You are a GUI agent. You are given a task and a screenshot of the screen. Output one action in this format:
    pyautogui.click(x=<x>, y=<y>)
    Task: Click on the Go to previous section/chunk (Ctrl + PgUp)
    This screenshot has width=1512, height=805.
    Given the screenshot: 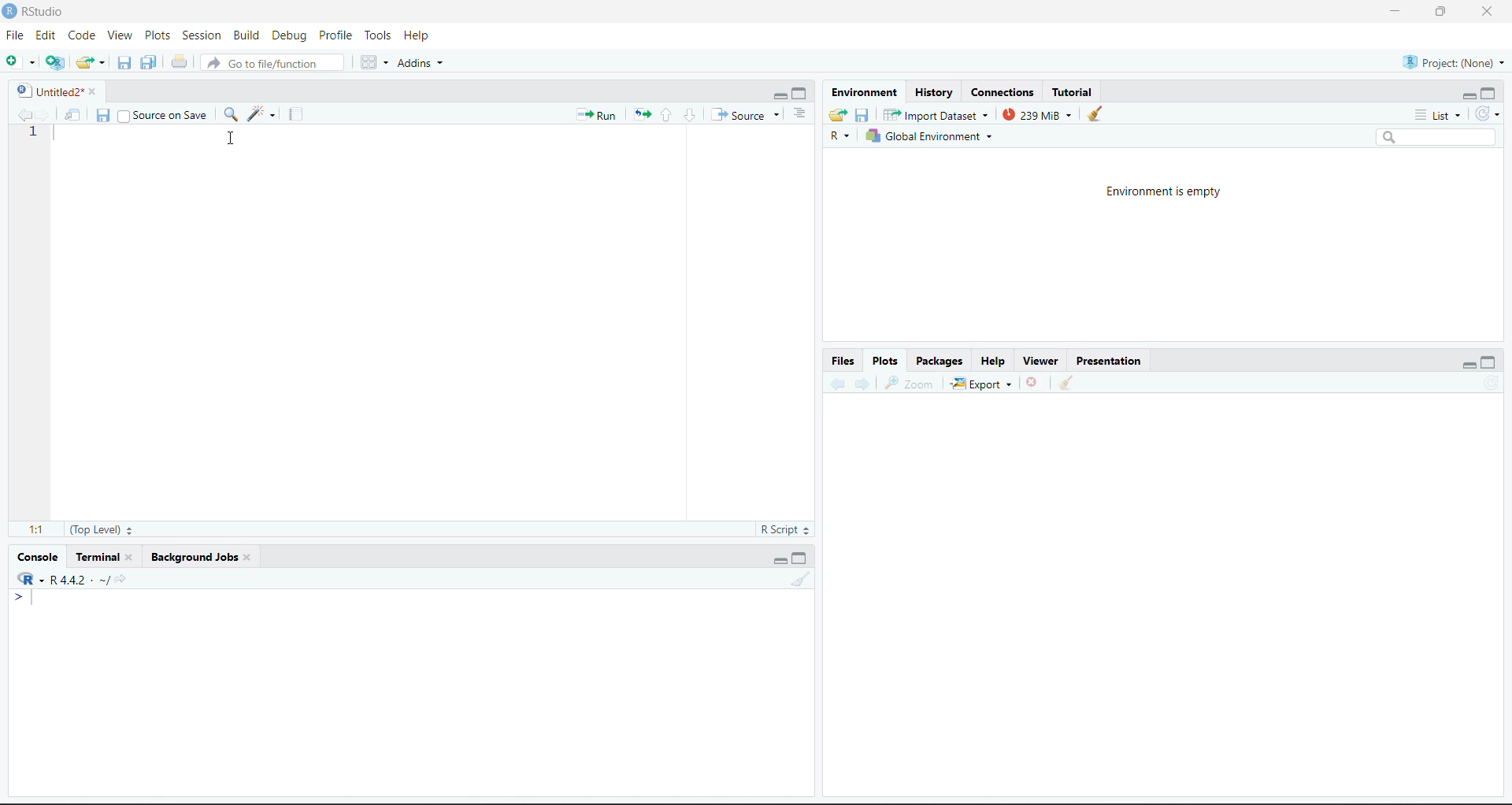 What is the action you would take?
    pyautogui.click(x=669, y=114)
    